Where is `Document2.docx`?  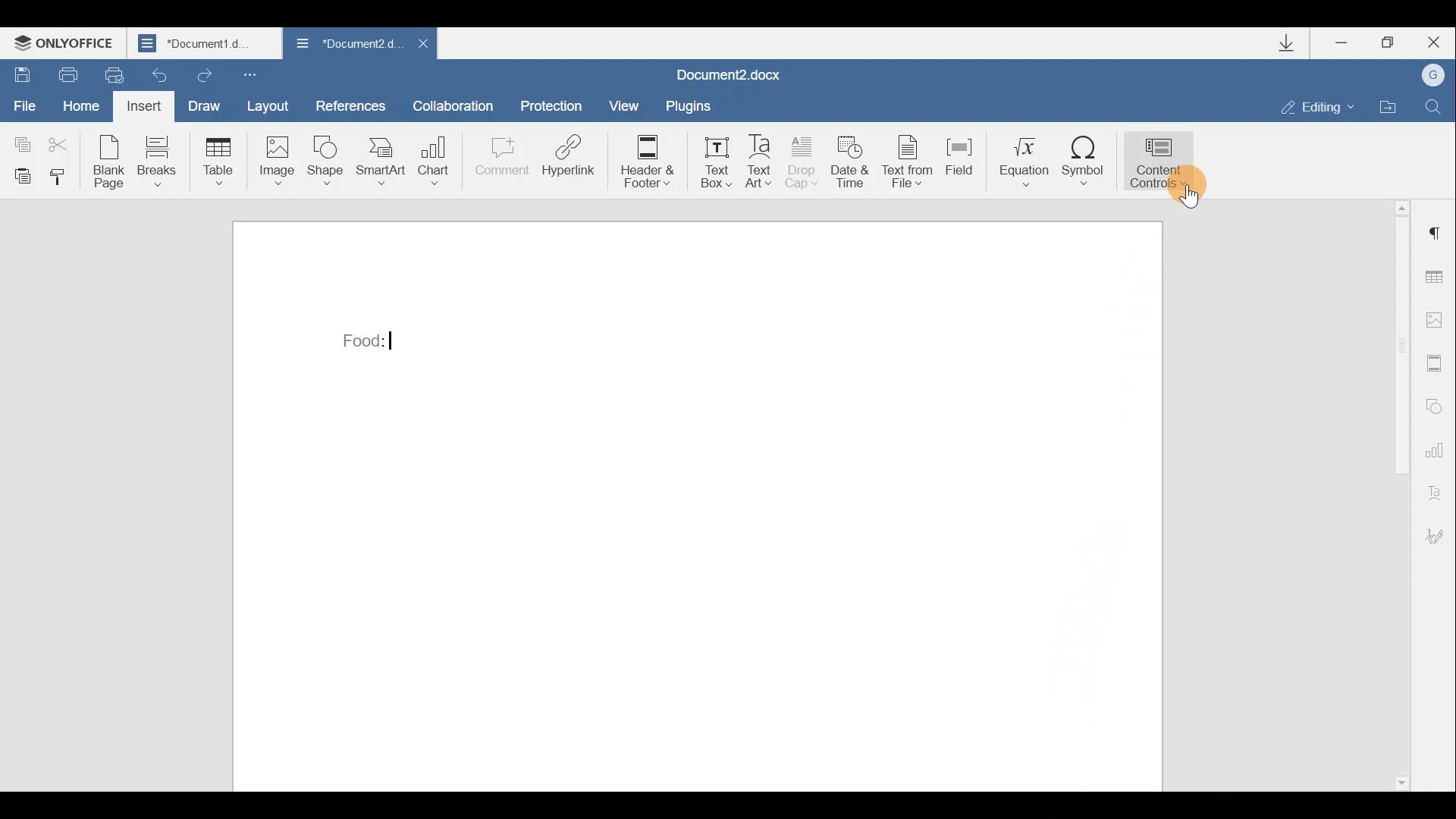 Document2.docx is located at coordinates (730, 73).